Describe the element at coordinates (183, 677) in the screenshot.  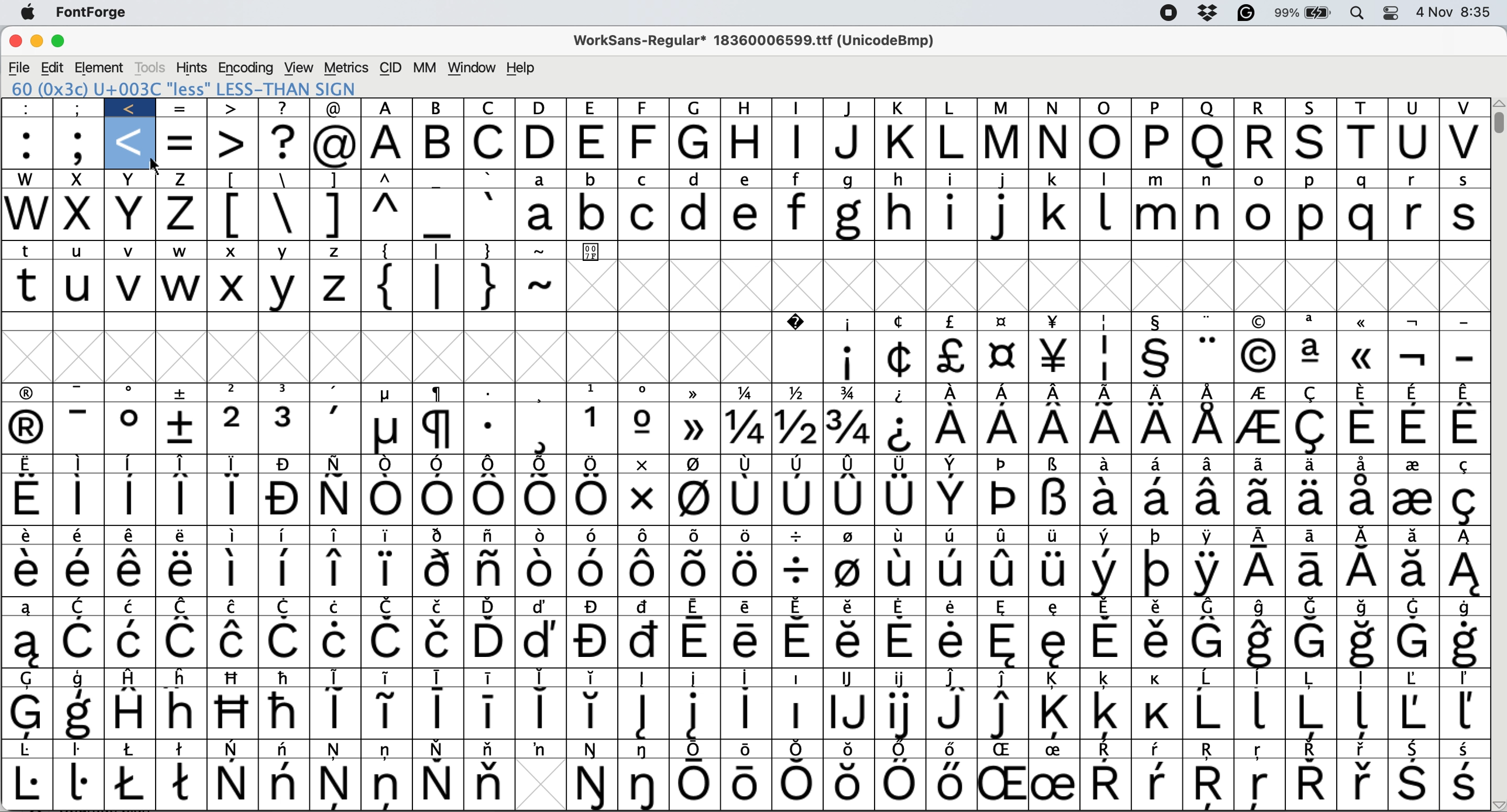
I see `Symbol` at that location.